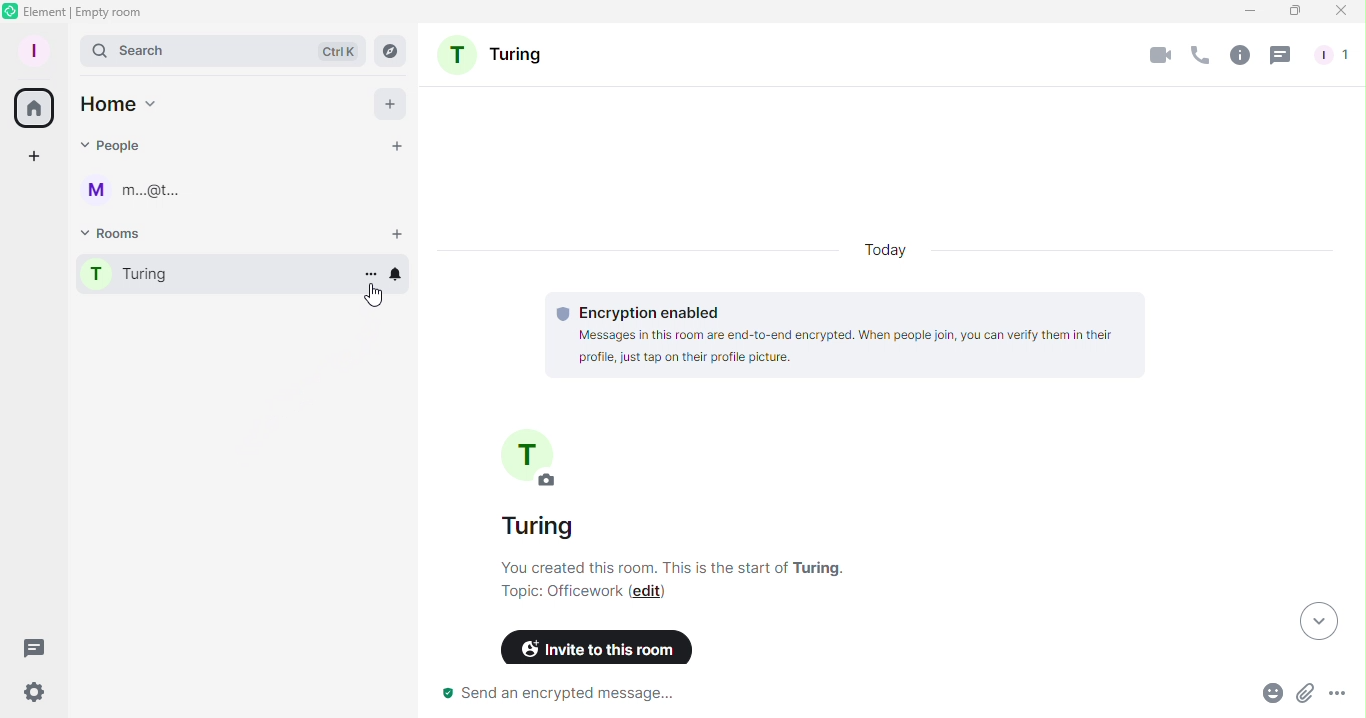 The width and height of the screenshot is (1366, 718). I want to click on Attachment, so click(1303, 696).